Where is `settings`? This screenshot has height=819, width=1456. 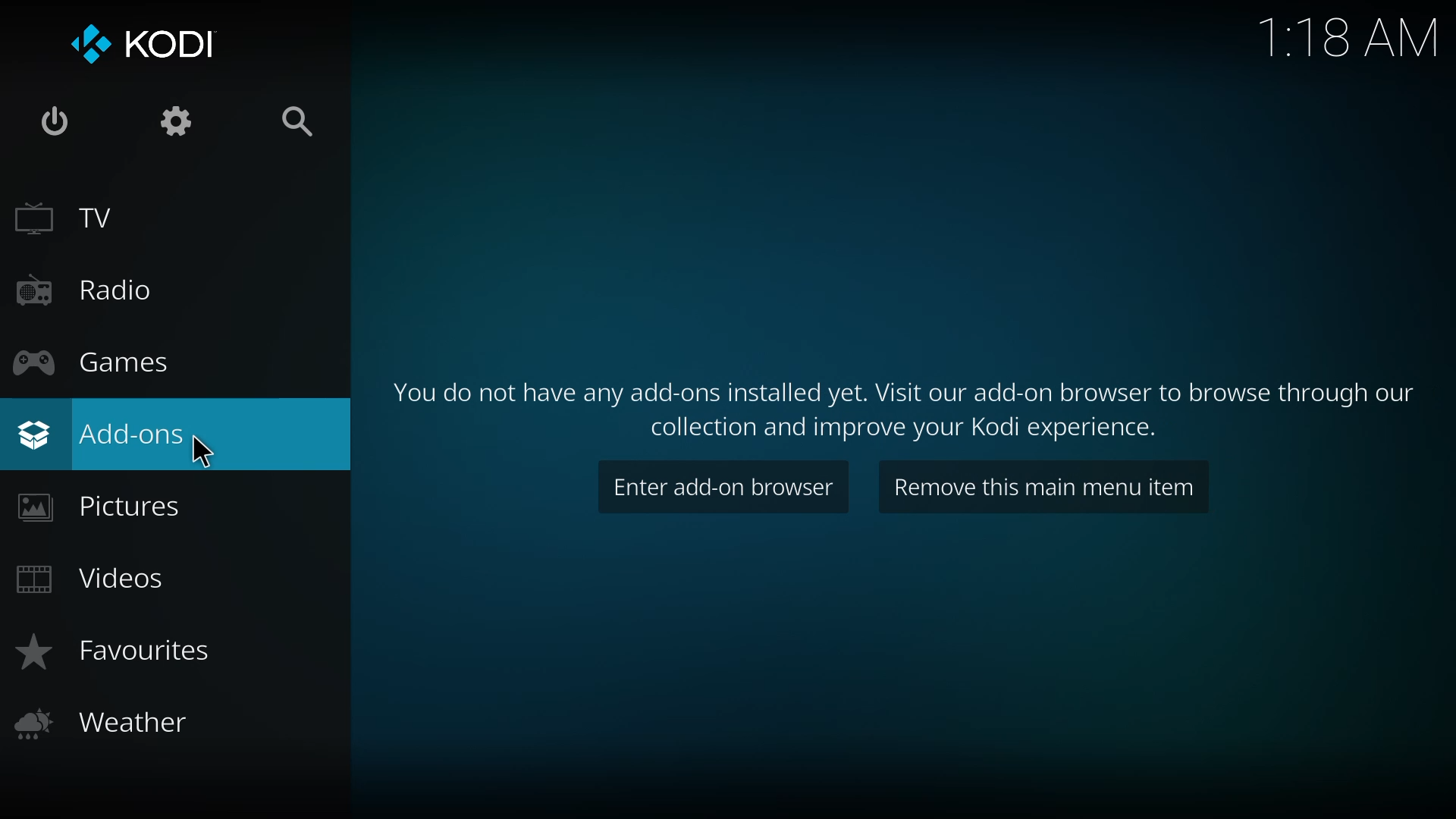
settings is located at coordinates (179, 129).